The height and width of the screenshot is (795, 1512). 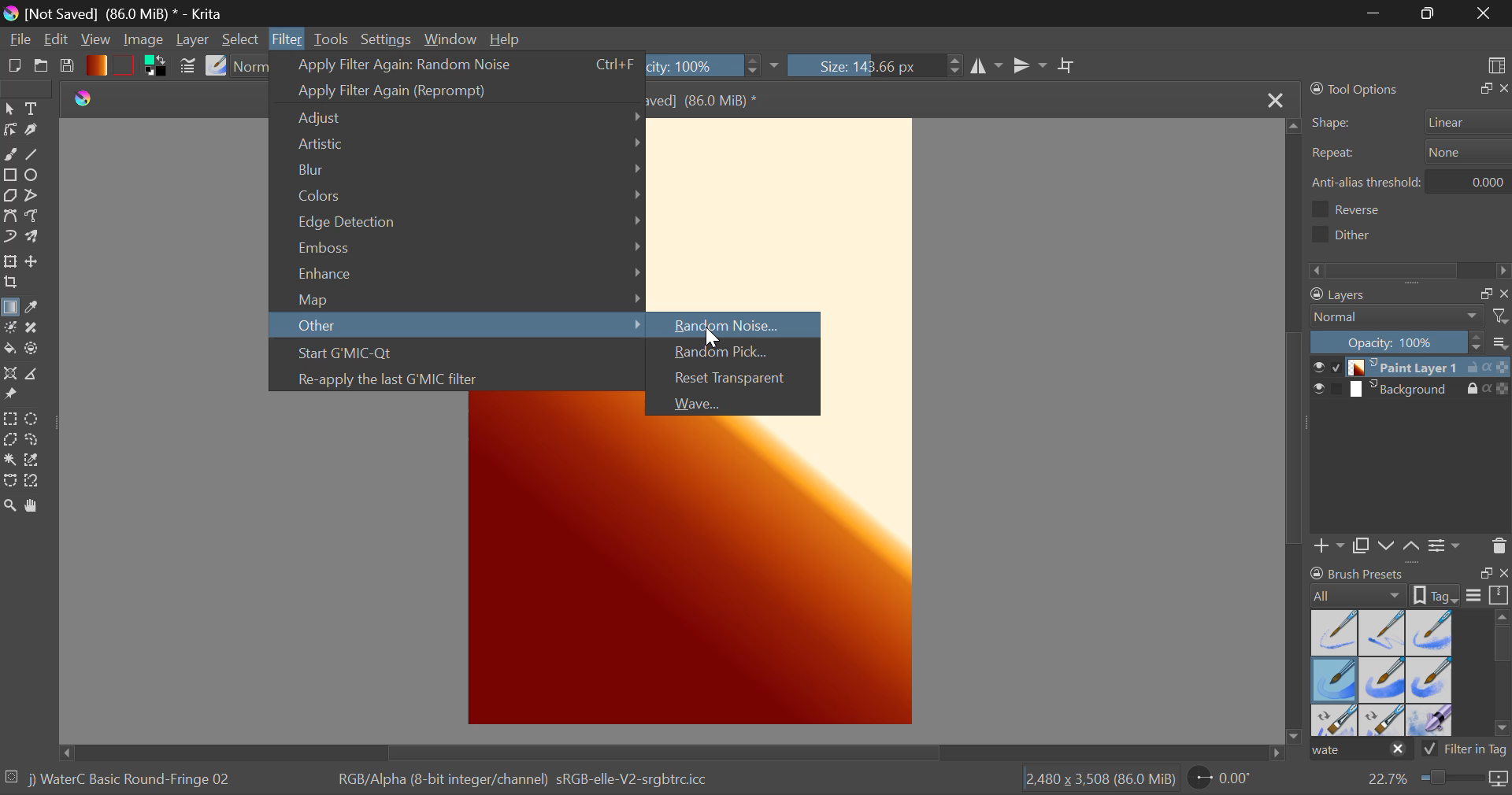 I want to click on anti-alias threshold , so click(x=1474, y=179).